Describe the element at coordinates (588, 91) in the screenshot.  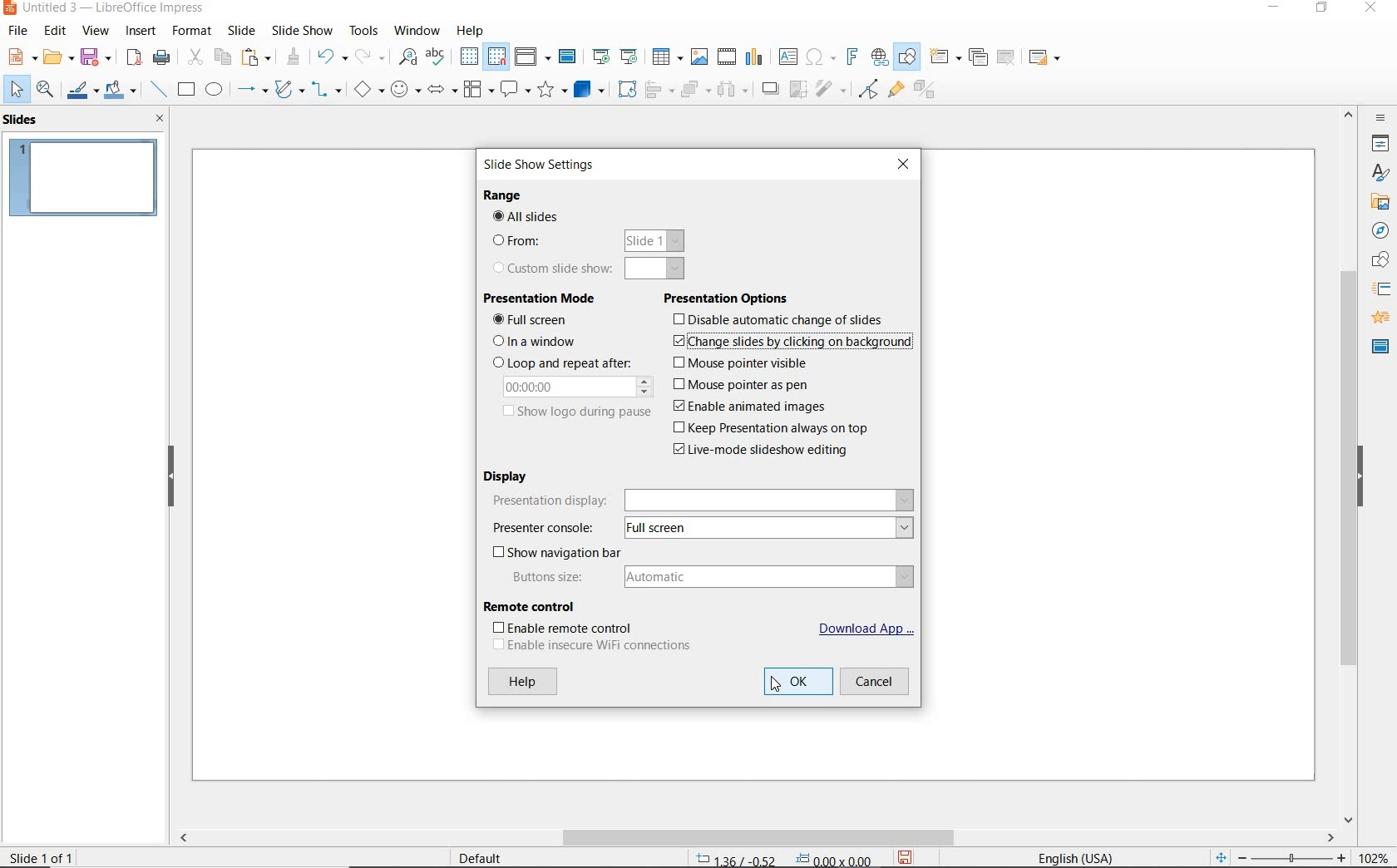
I see `3D OBJECTS` at that location.